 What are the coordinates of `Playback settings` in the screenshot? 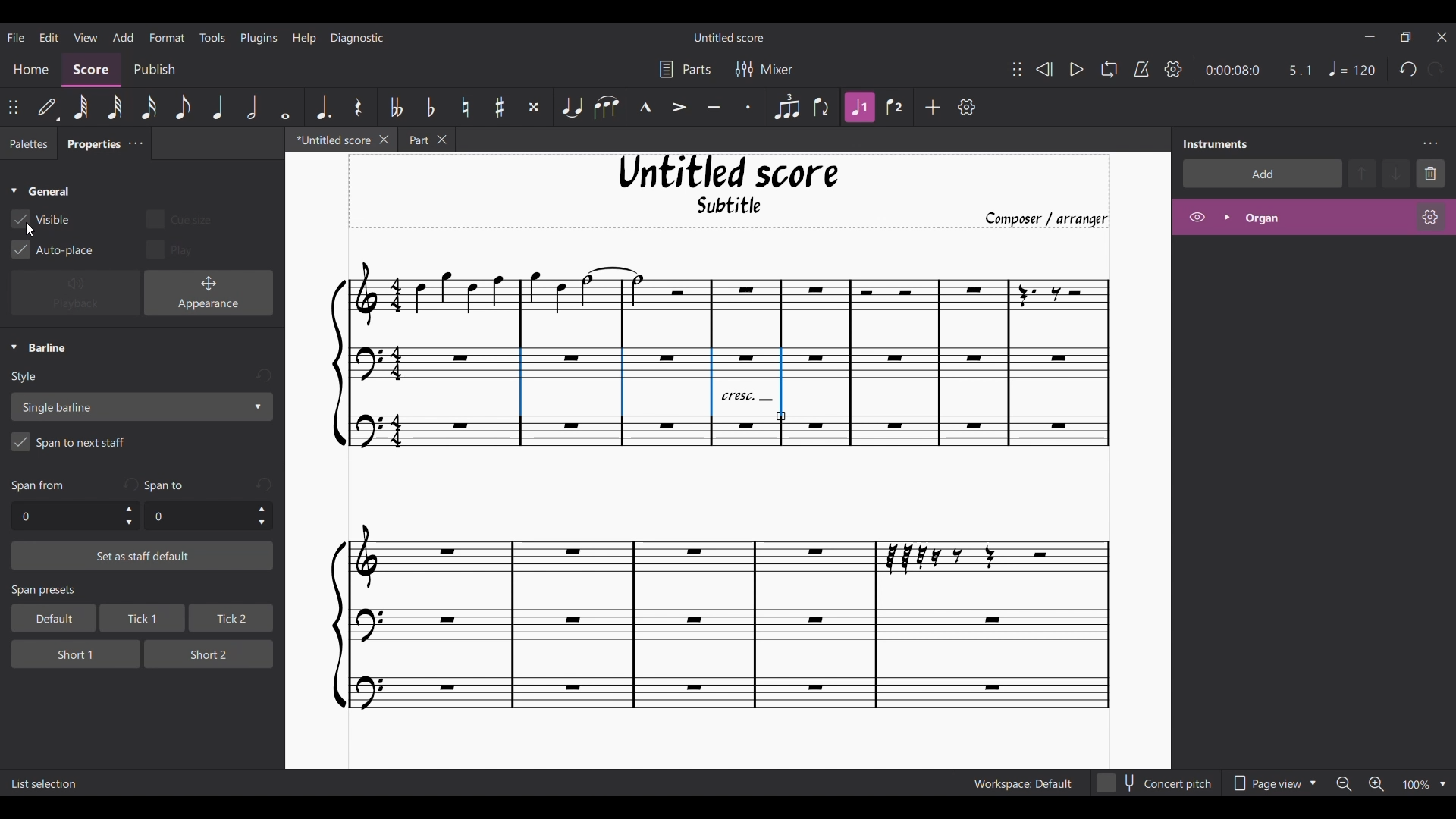 It's located at (1173, 69).